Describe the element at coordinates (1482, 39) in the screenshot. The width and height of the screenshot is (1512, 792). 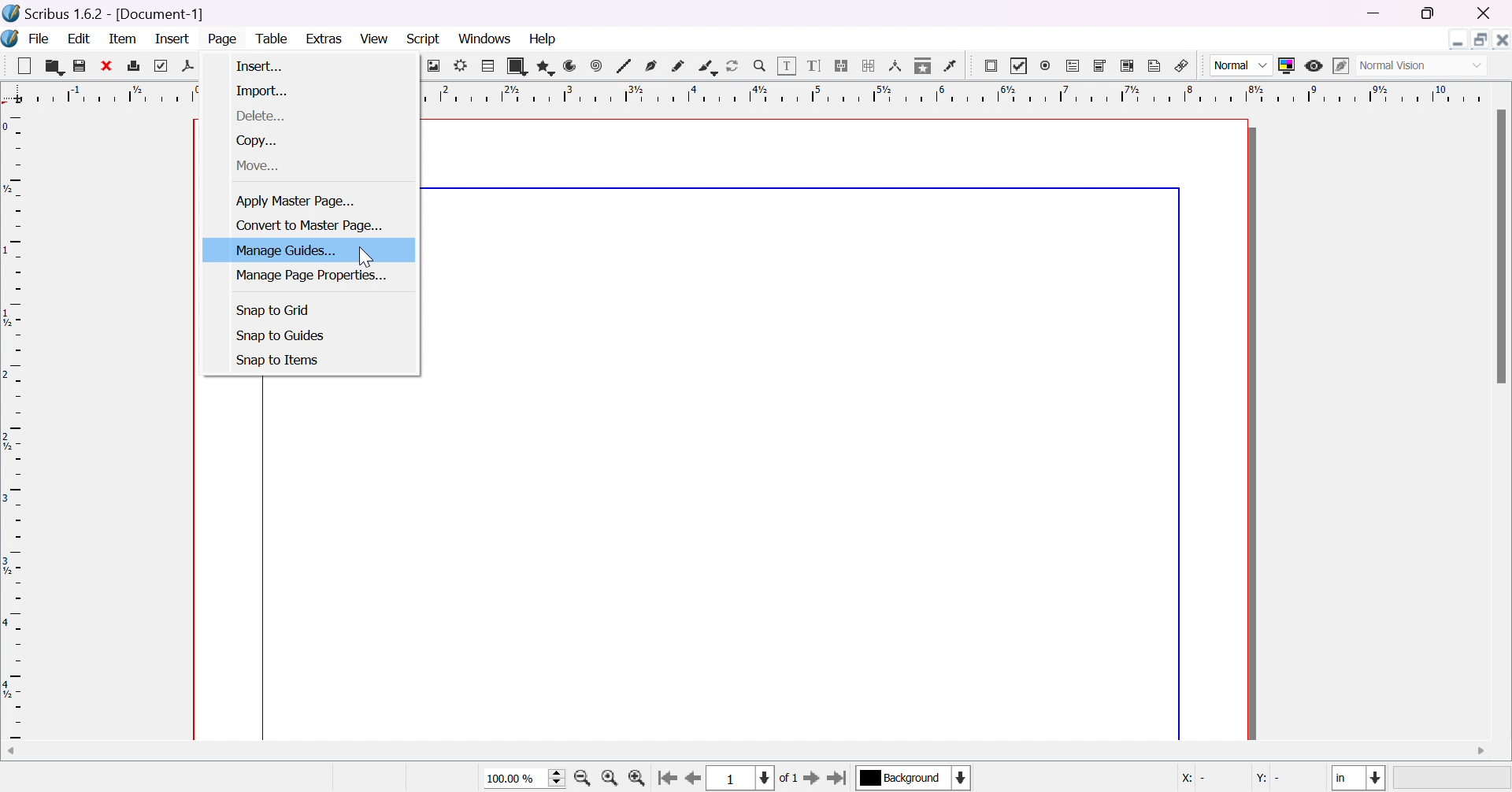
I see `Restore down` at that location.